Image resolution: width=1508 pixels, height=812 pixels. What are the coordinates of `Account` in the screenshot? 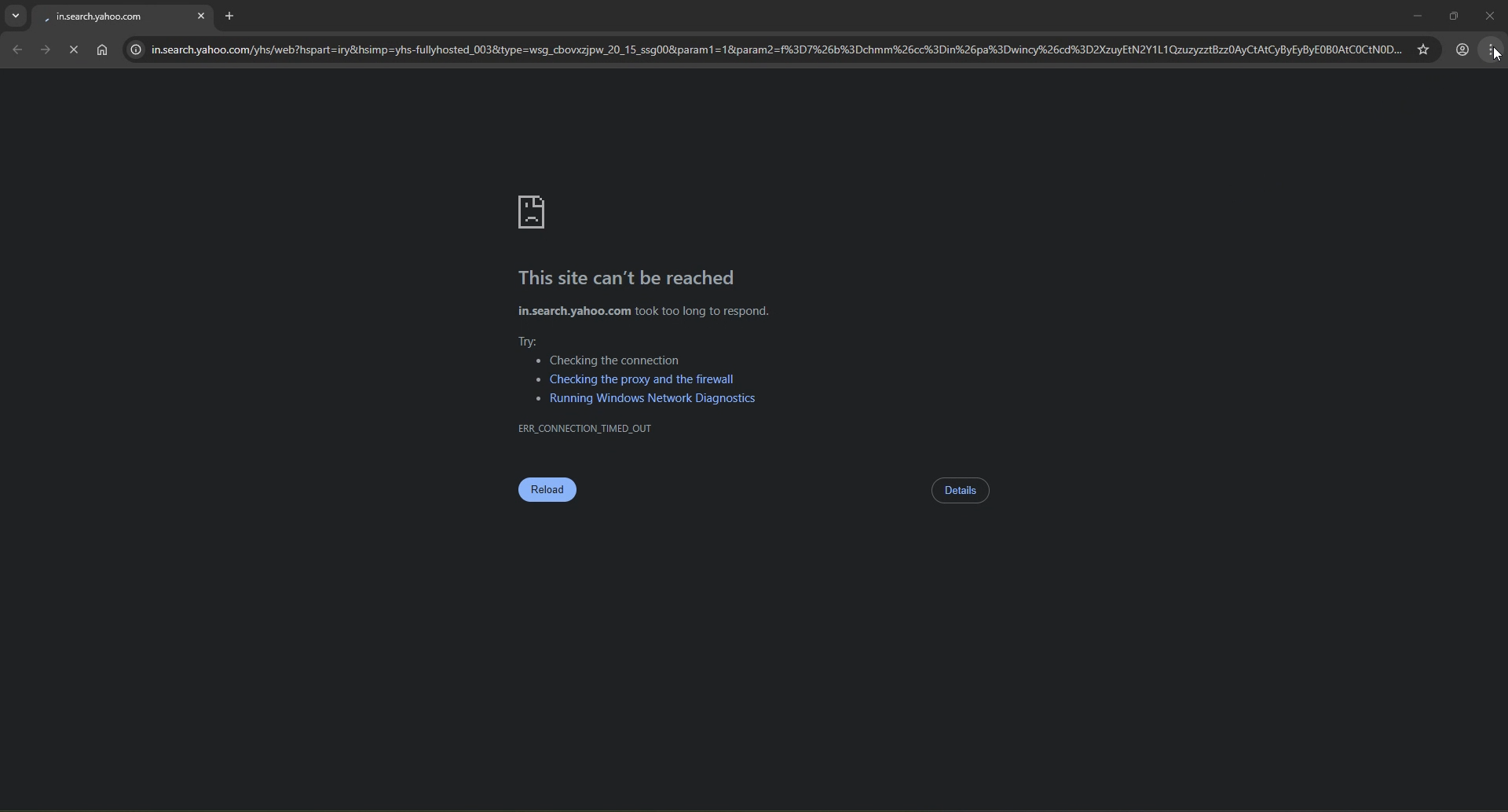 It's located at (1462, 49).